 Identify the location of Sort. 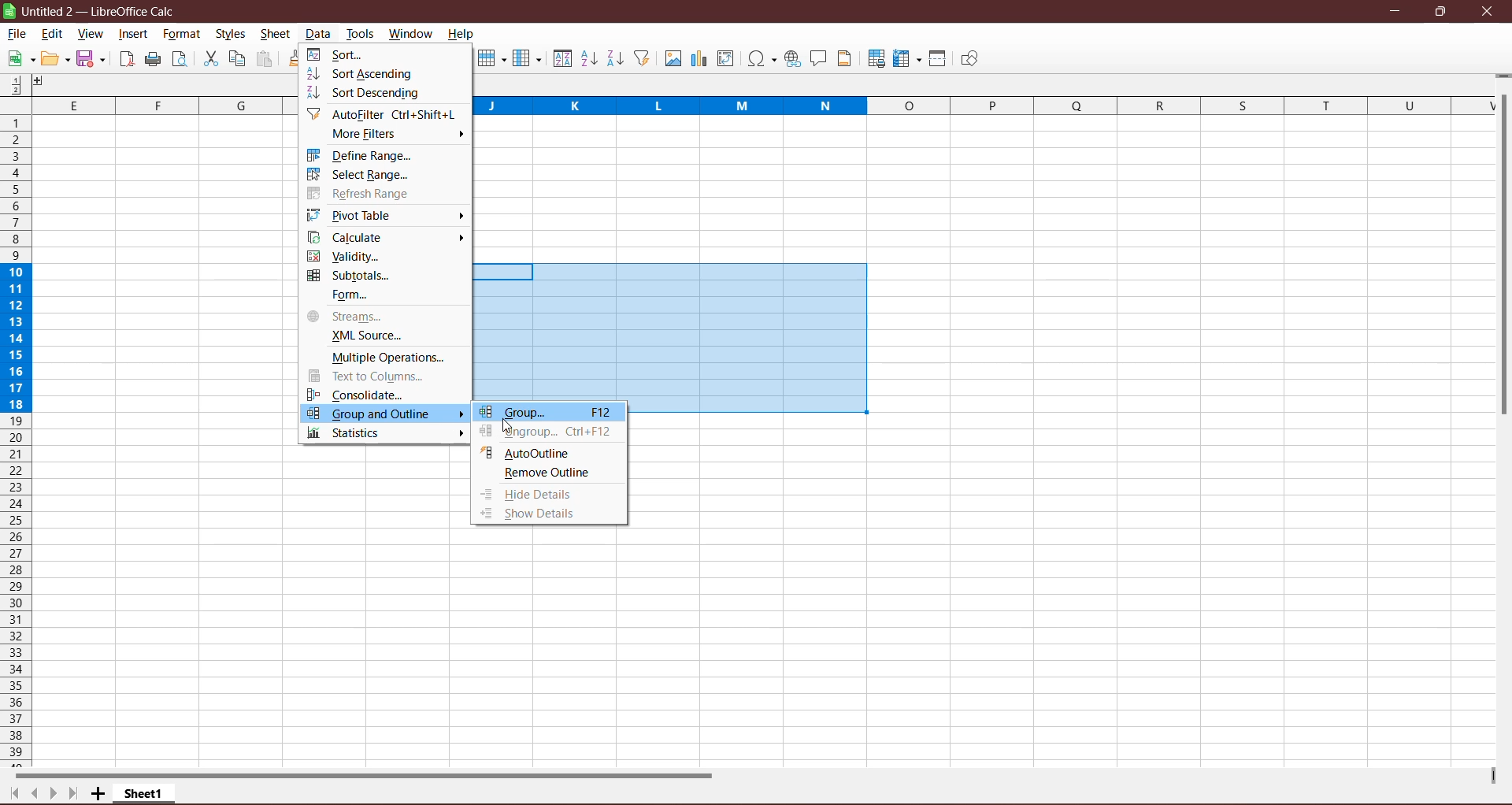
(561, 58).